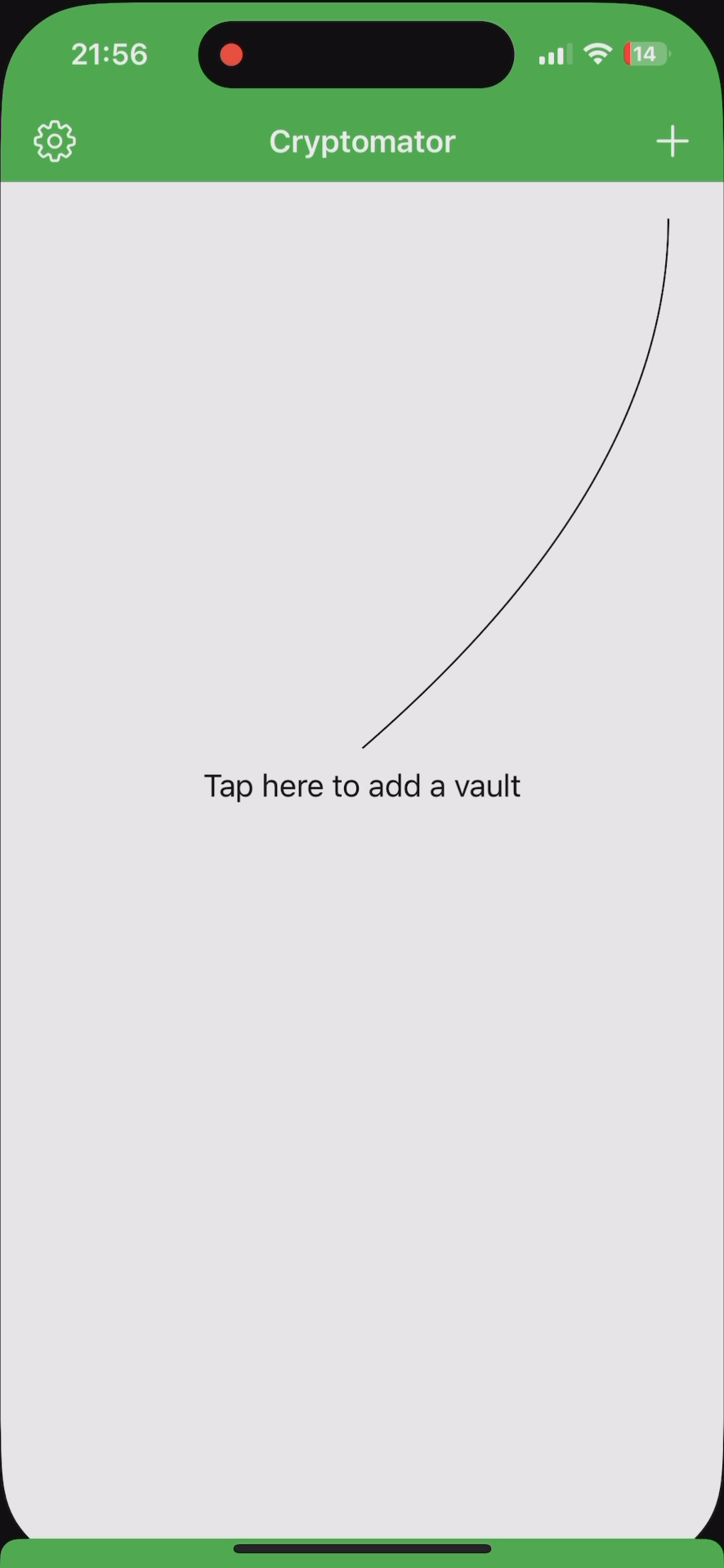 The width and height of the screenshot is (724, 1568). What do you see at coordinates (110, 54) in the screenshot?
I see `hour` at bounding box center [110, 54].